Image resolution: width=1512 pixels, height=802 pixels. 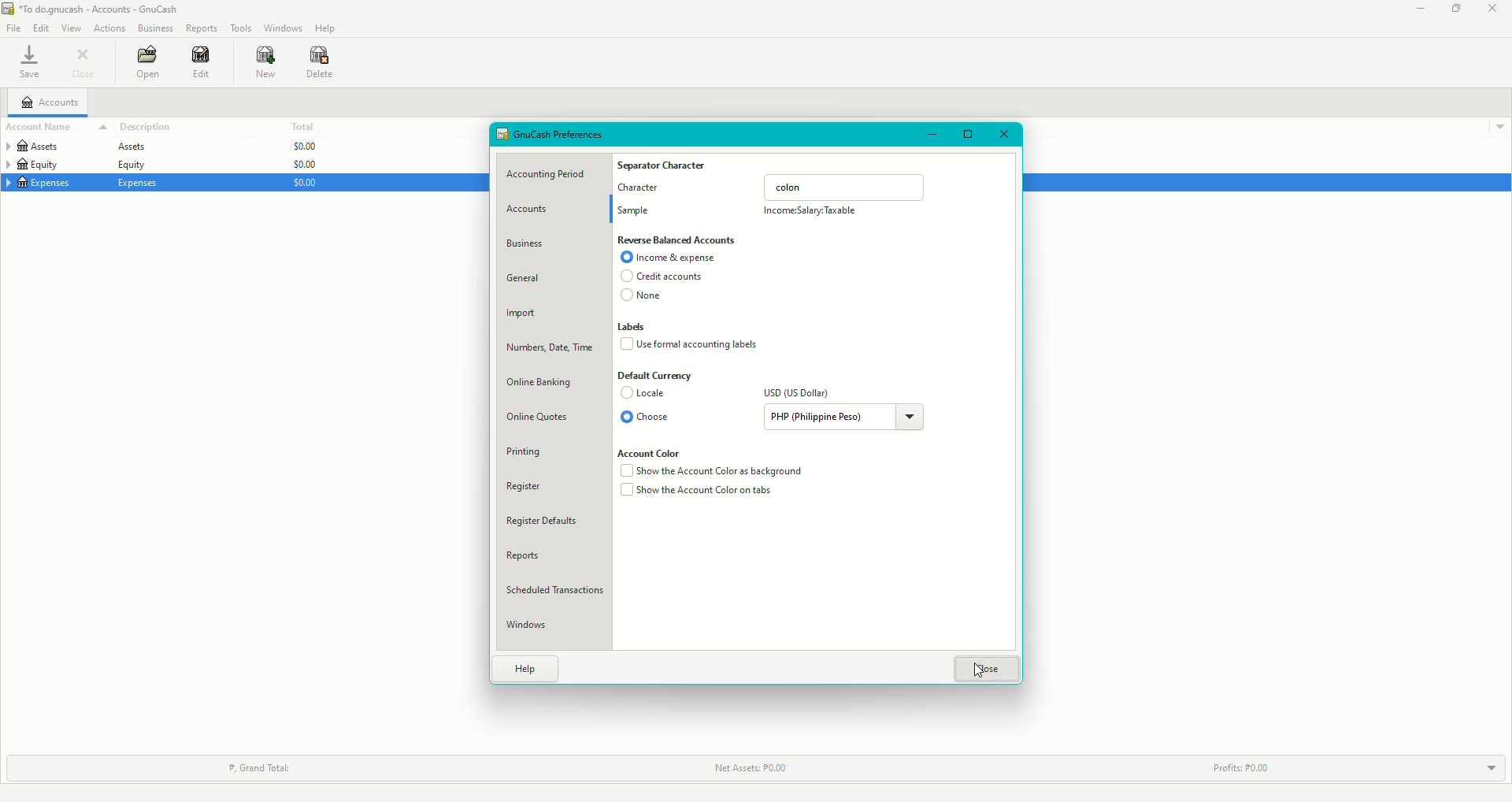 What do you see at coordinates (643, 298) in the screenshot?
I see `None` at bounding box center [643, 298].